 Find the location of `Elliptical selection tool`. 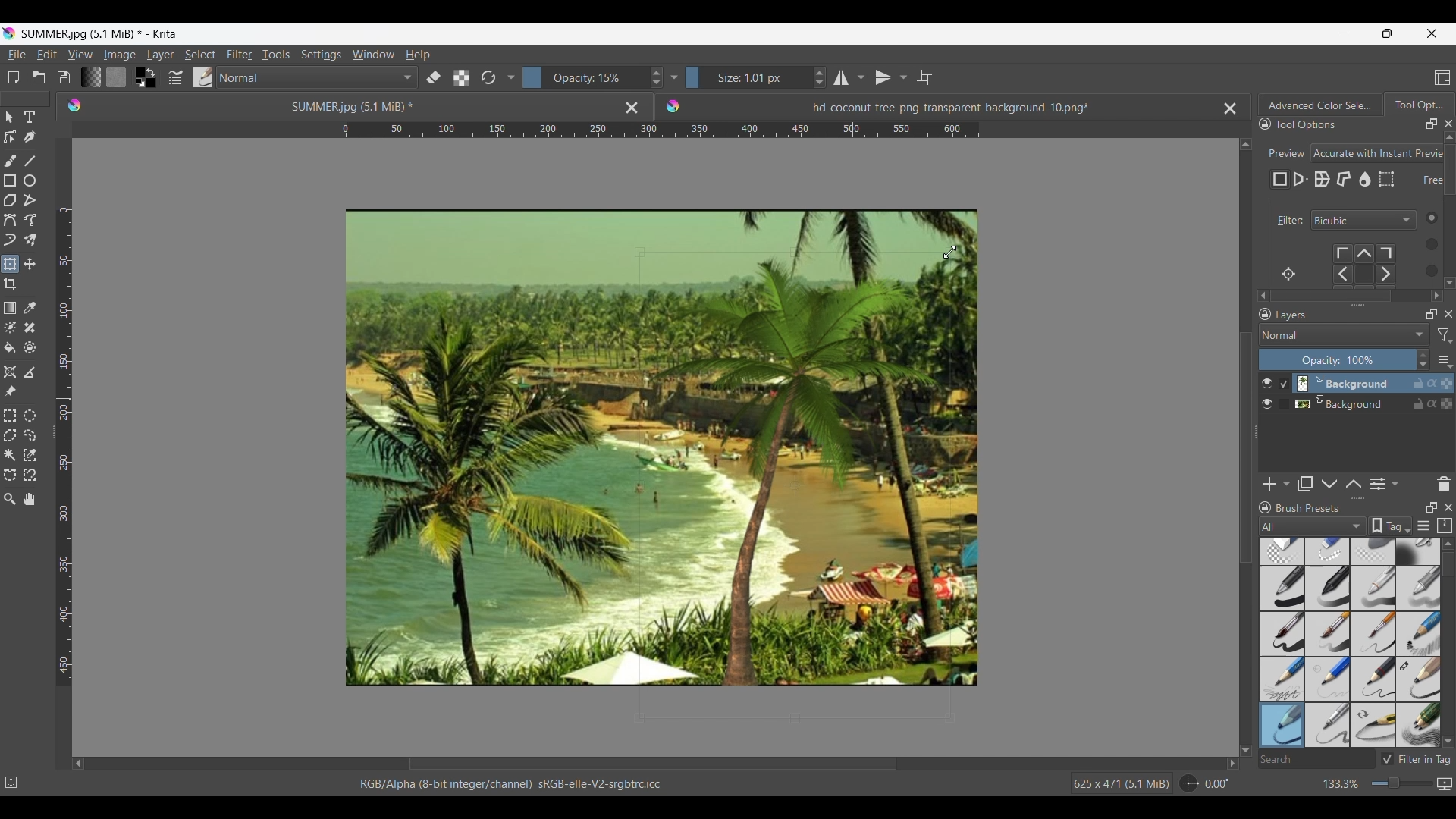

Elliptical selection tool is located at coordinates (30, 416).